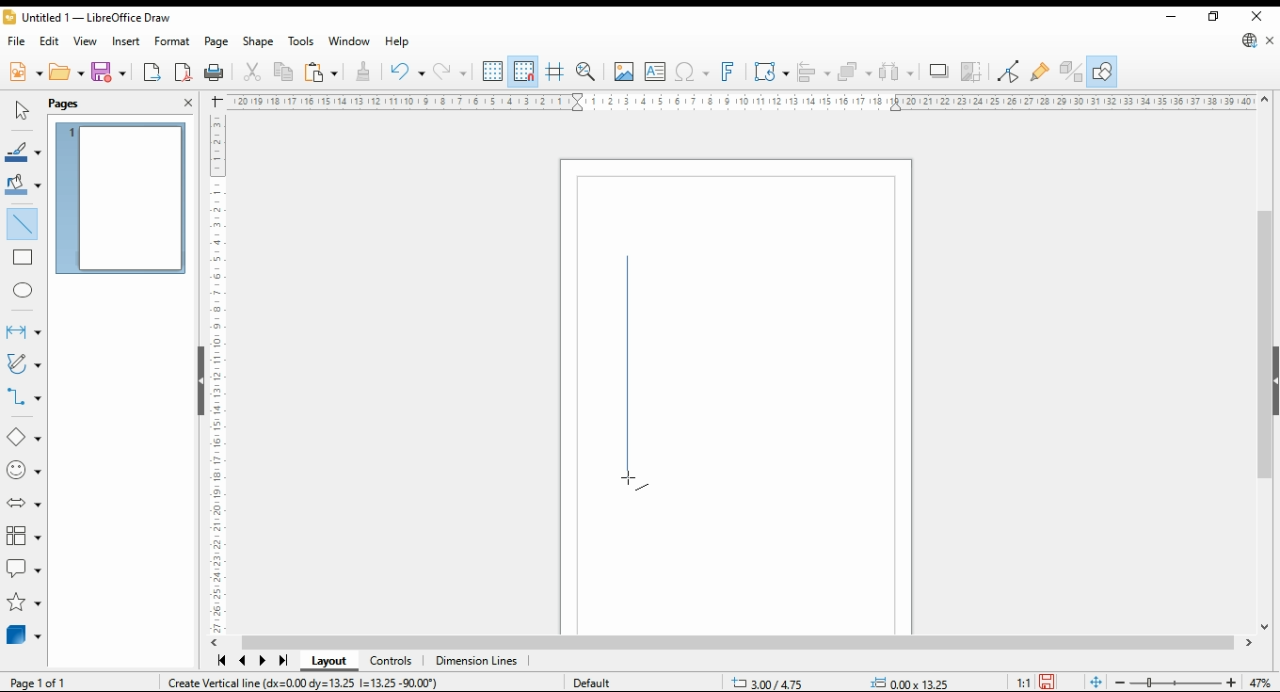 The height and width of the screenshot is (692, 1280). What do you see at coordinates (26, 227) in the screenshot?
I see `insert line` at bounding box center [26, 227].